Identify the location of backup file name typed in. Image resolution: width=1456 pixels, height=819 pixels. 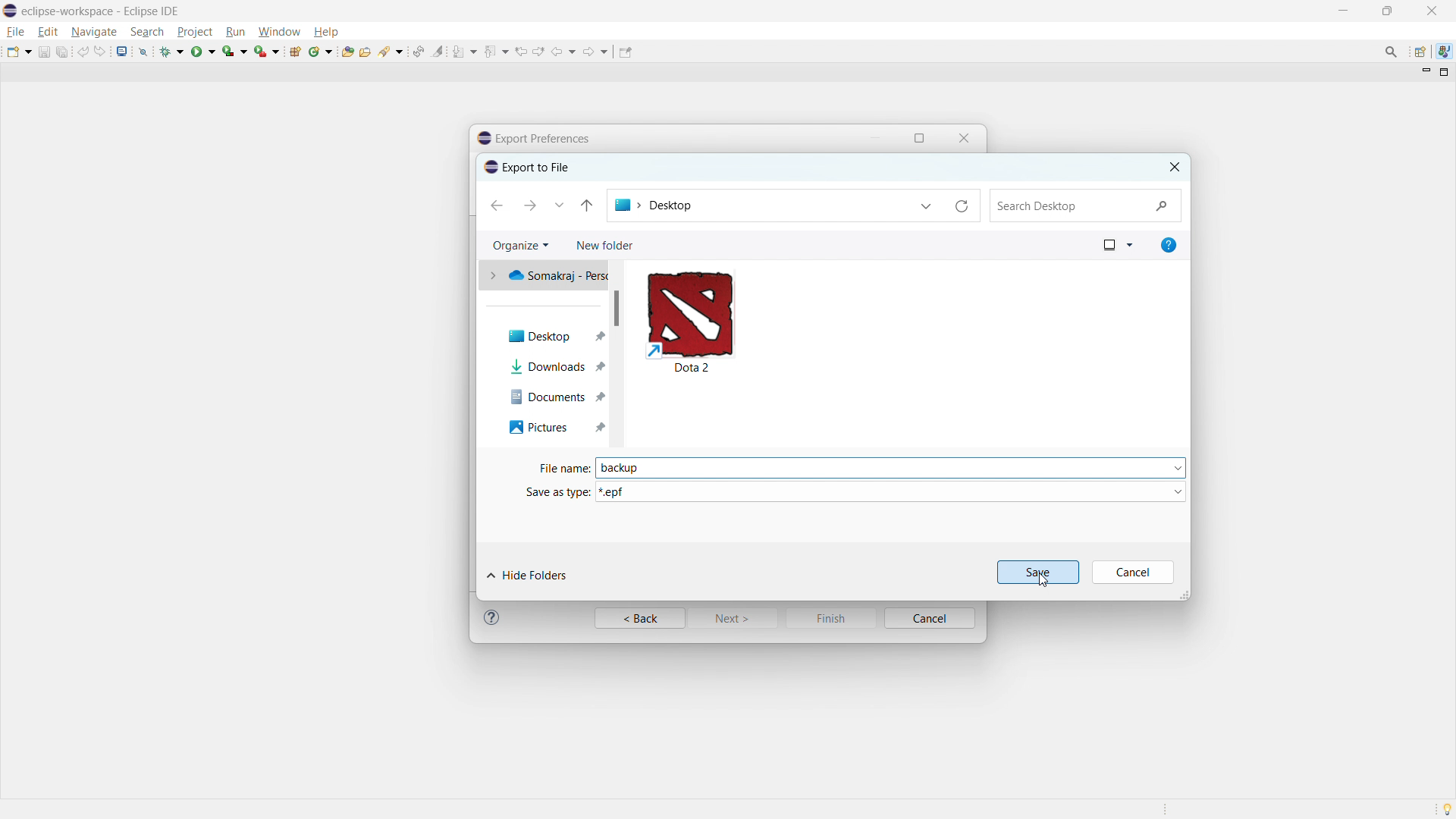
(631, 468).